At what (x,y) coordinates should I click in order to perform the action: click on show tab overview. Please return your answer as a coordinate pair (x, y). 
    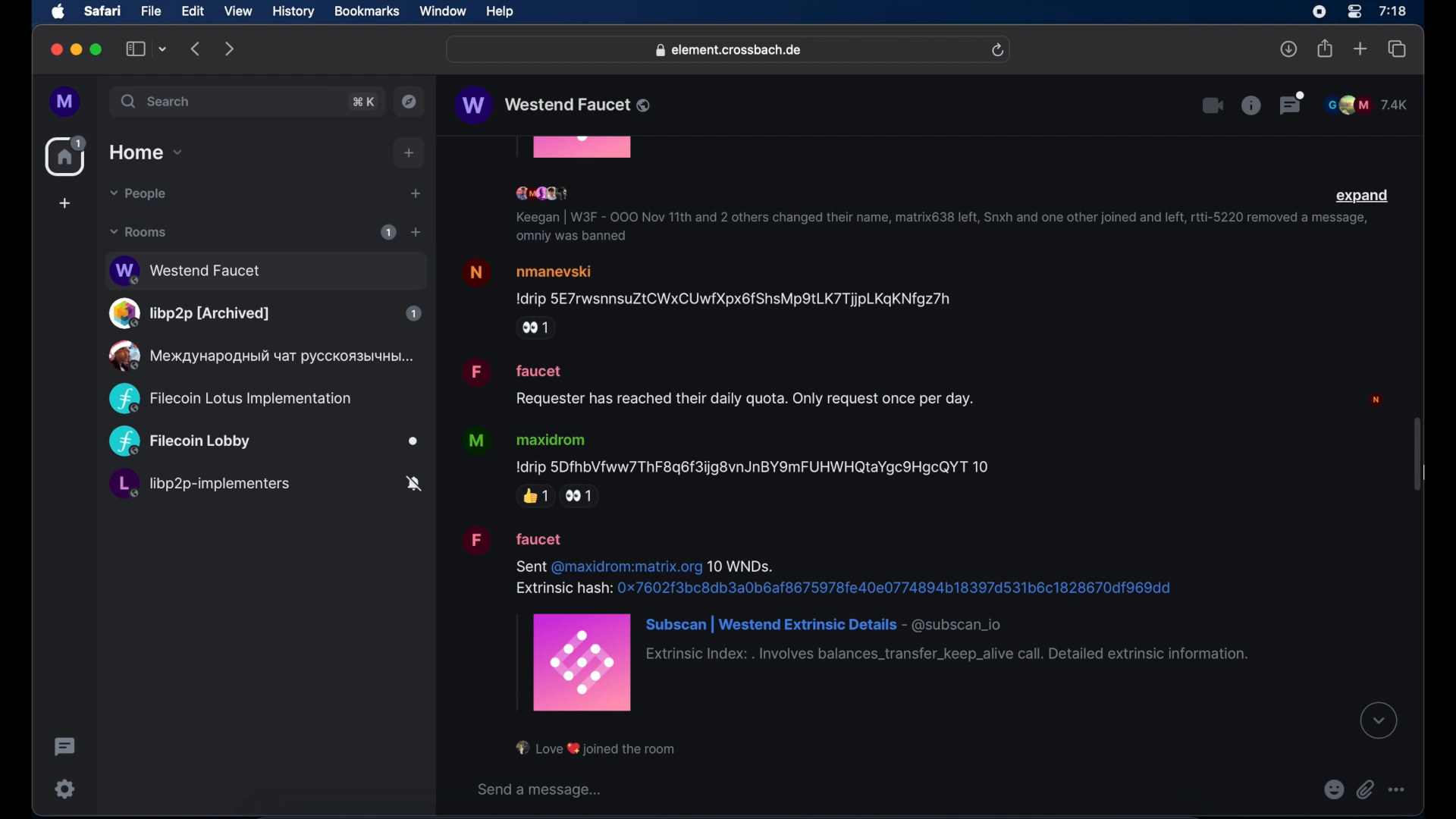
    Looking at the image, I should click on (1398, 49).